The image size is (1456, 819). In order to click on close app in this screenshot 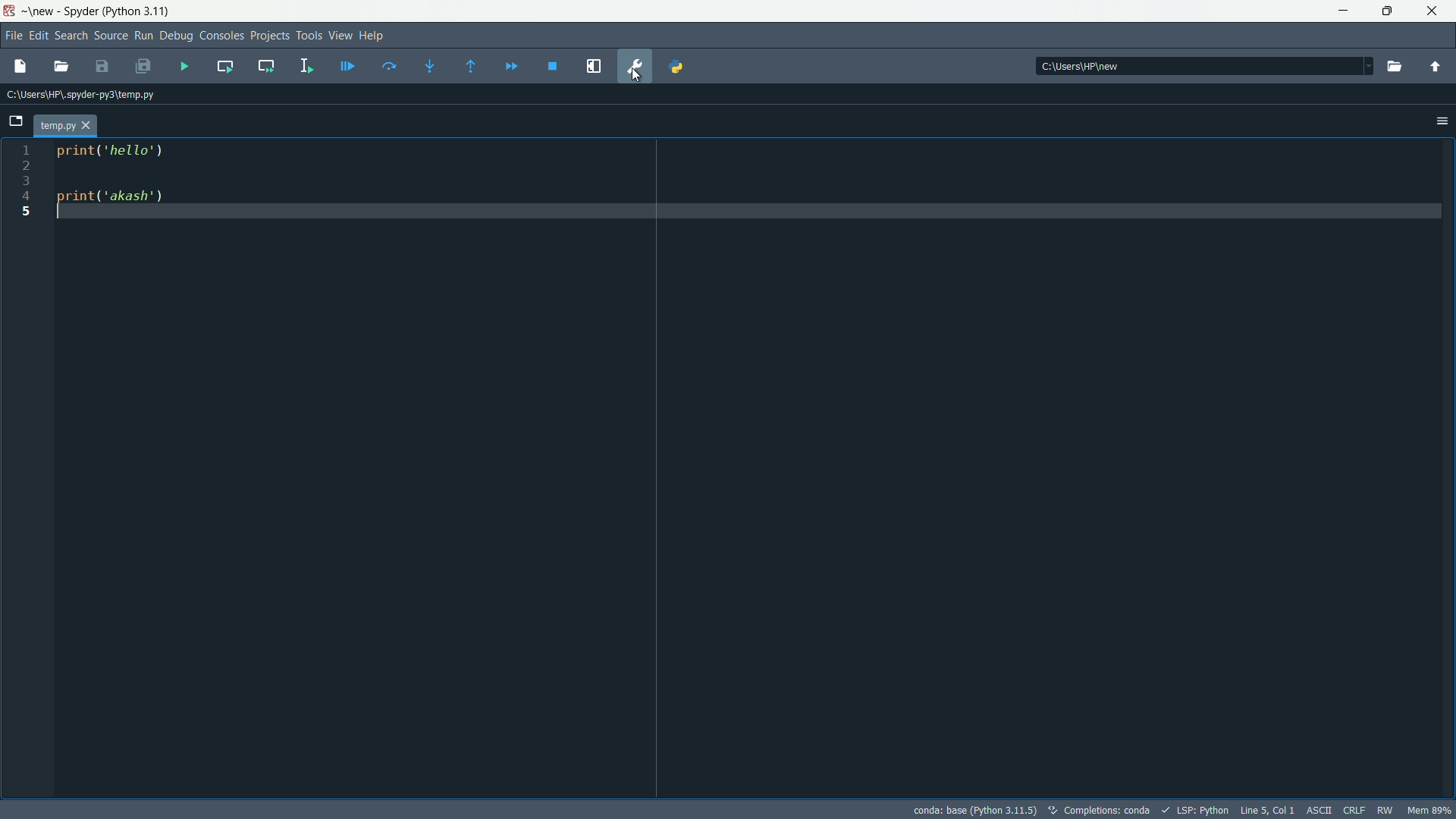, I will do `click(1436, 11)`.